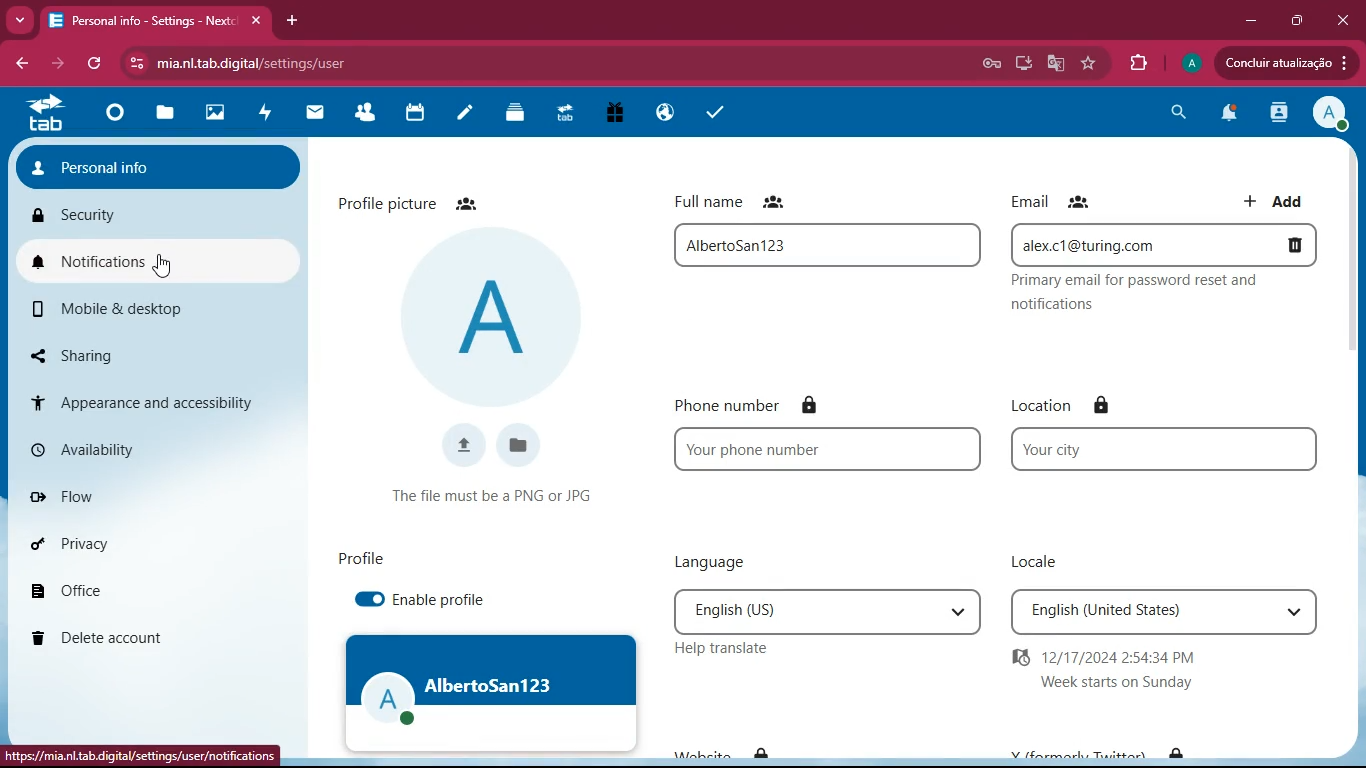 This screenshot has width=1366, height=768. I want to click on locale, so click(1160, 612).